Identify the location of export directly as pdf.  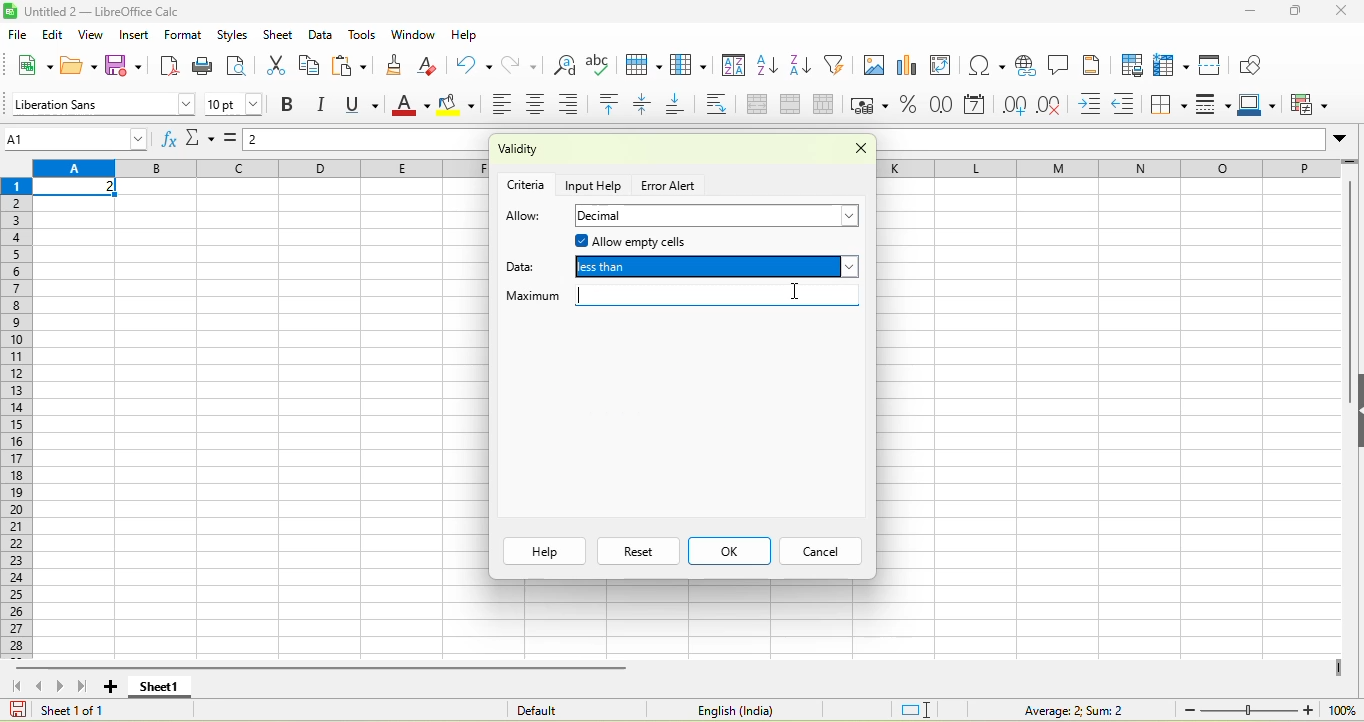
(174, 66).